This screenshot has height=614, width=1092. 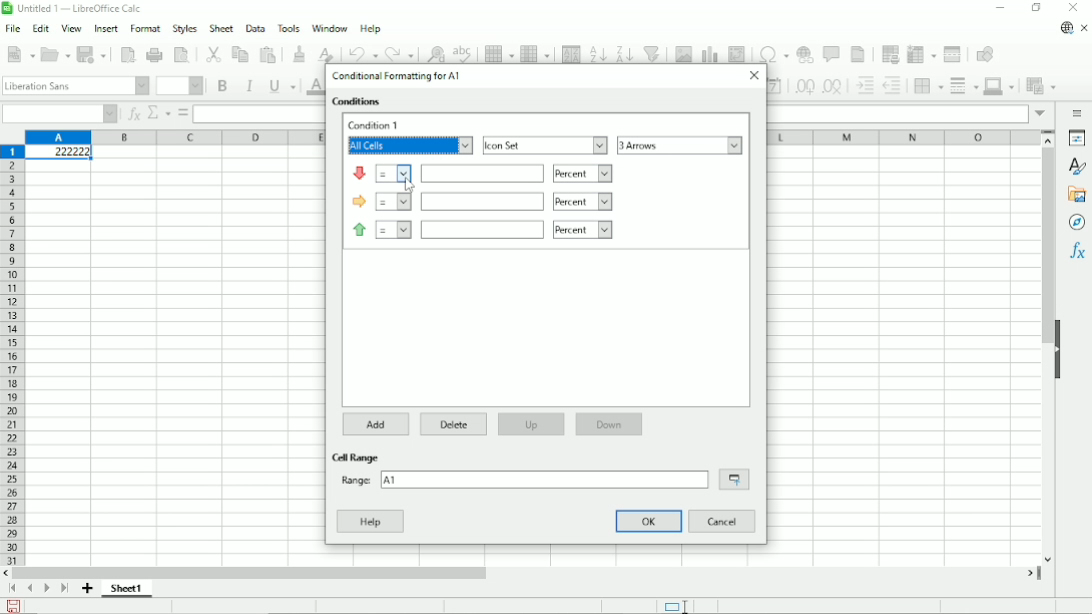 What do you see at coordinates (571, 51) in the screenshot?
I see `Sort` at bounding box center [571, 51].